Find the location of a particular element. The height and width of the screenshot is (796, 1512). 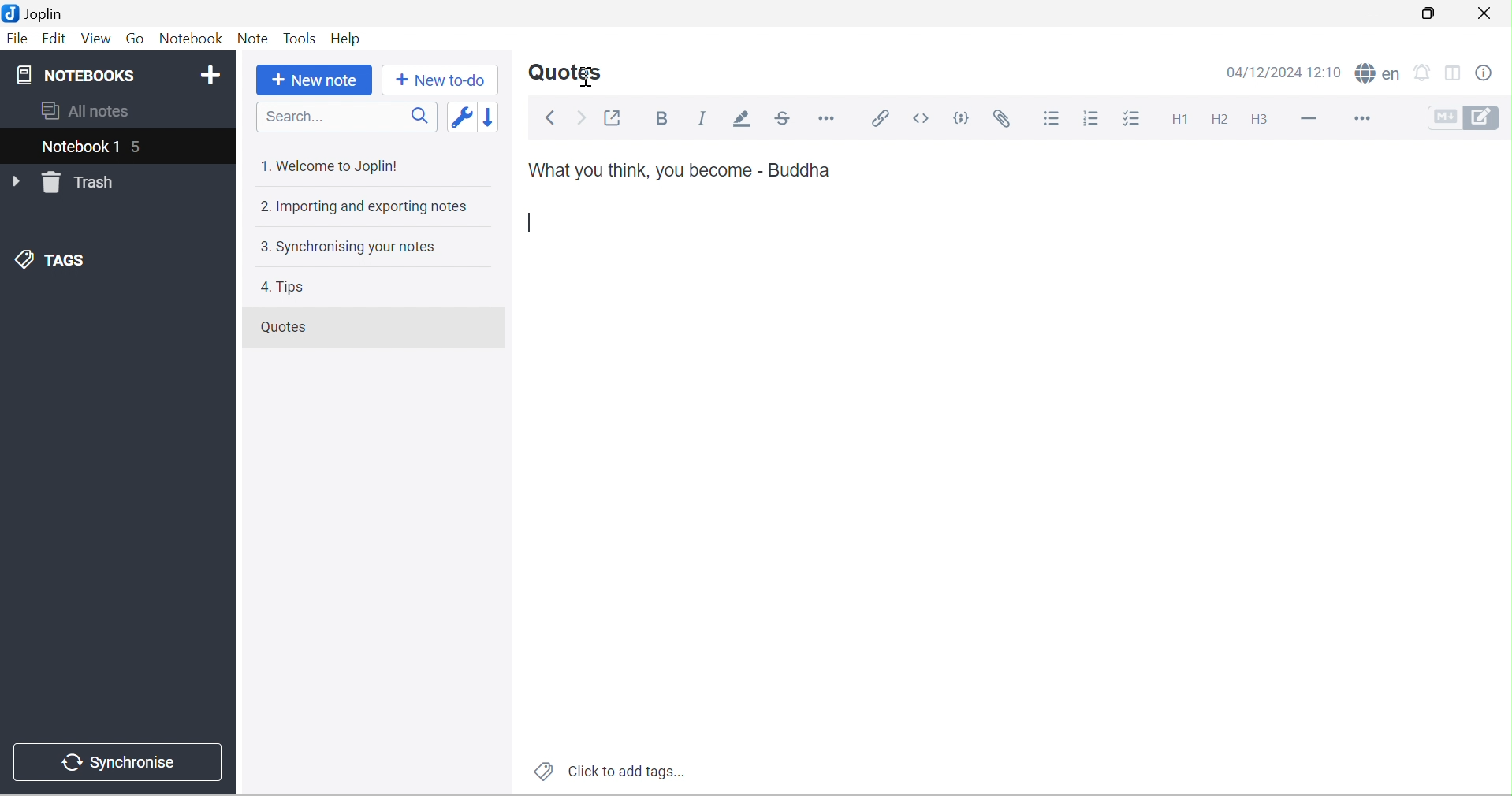

Attach file is located at coordinates (1011, 119).